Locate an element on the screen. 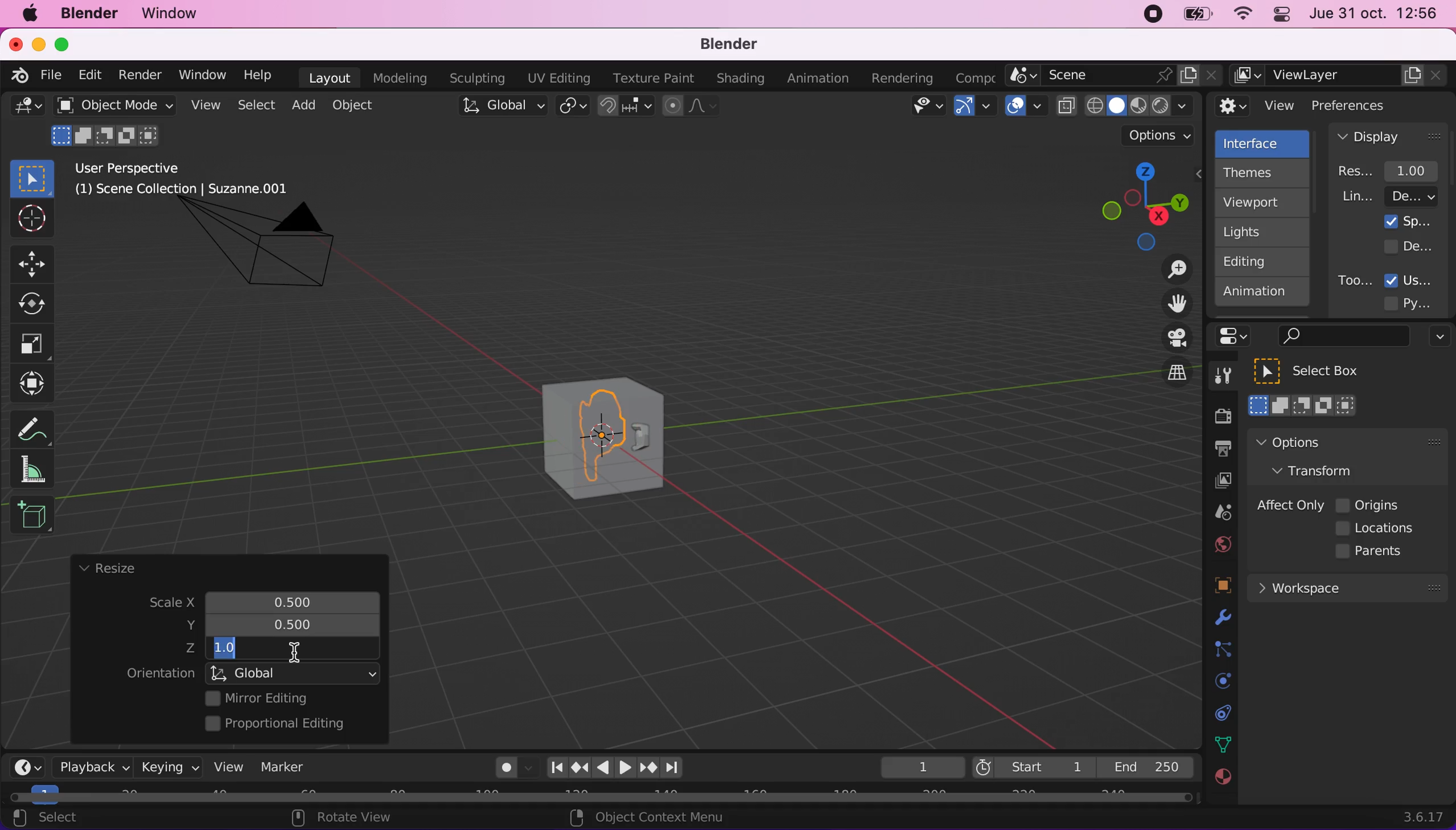  scene is located at coordinates (1218, 513).